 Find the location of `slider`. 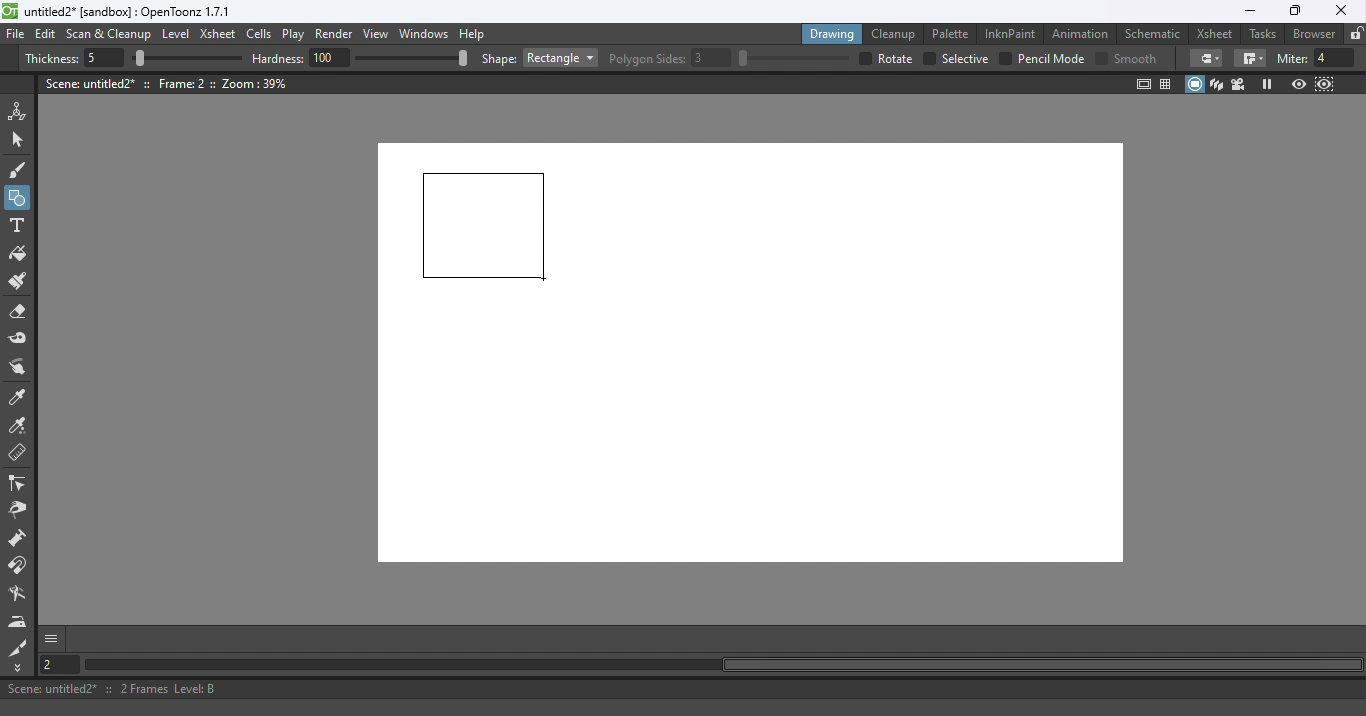

slider is located at coordinates (793, 58).